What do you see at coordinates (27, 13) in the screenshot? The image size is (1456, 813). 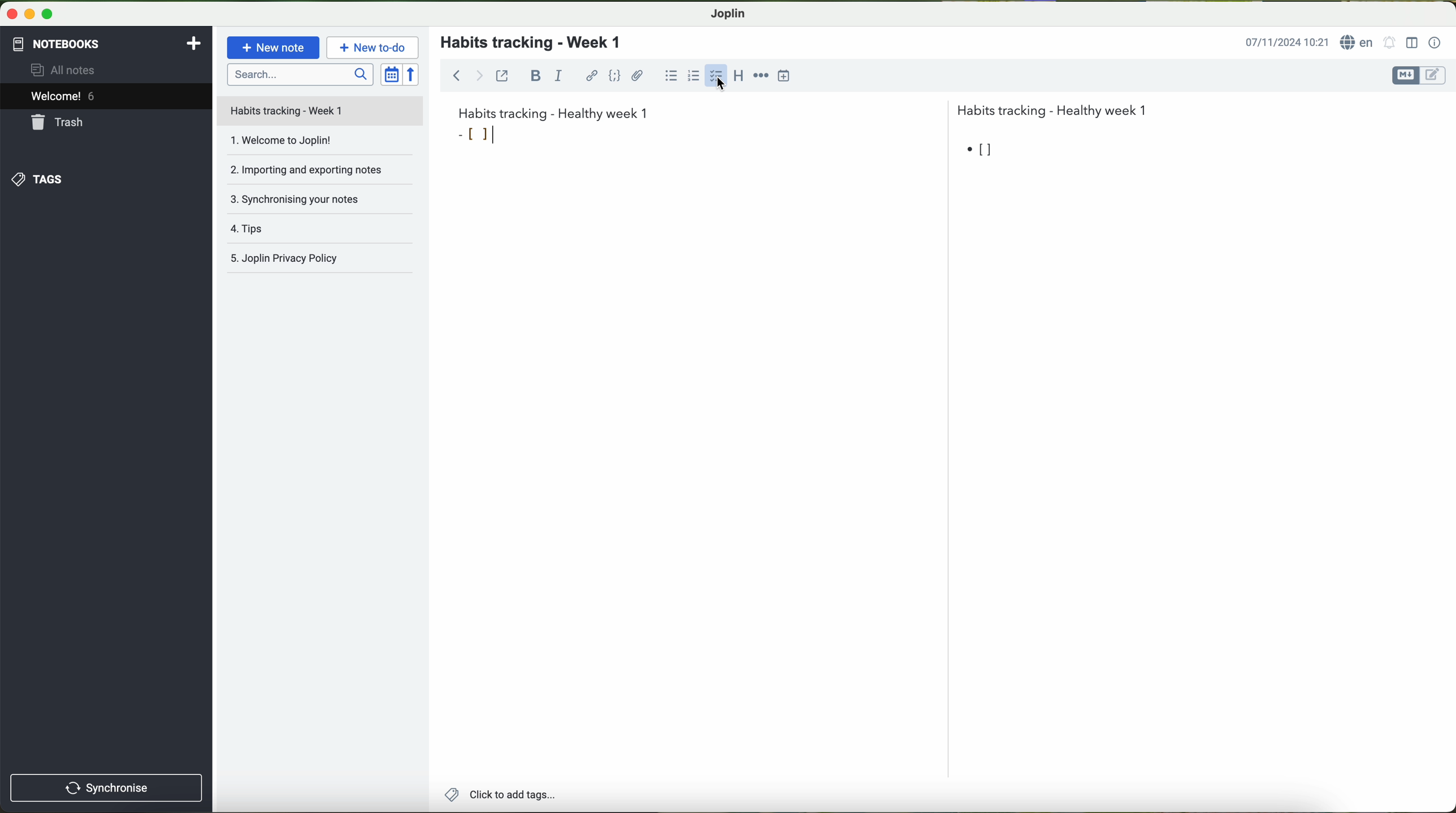 I see `minimize` at bounding box center [27, 13].